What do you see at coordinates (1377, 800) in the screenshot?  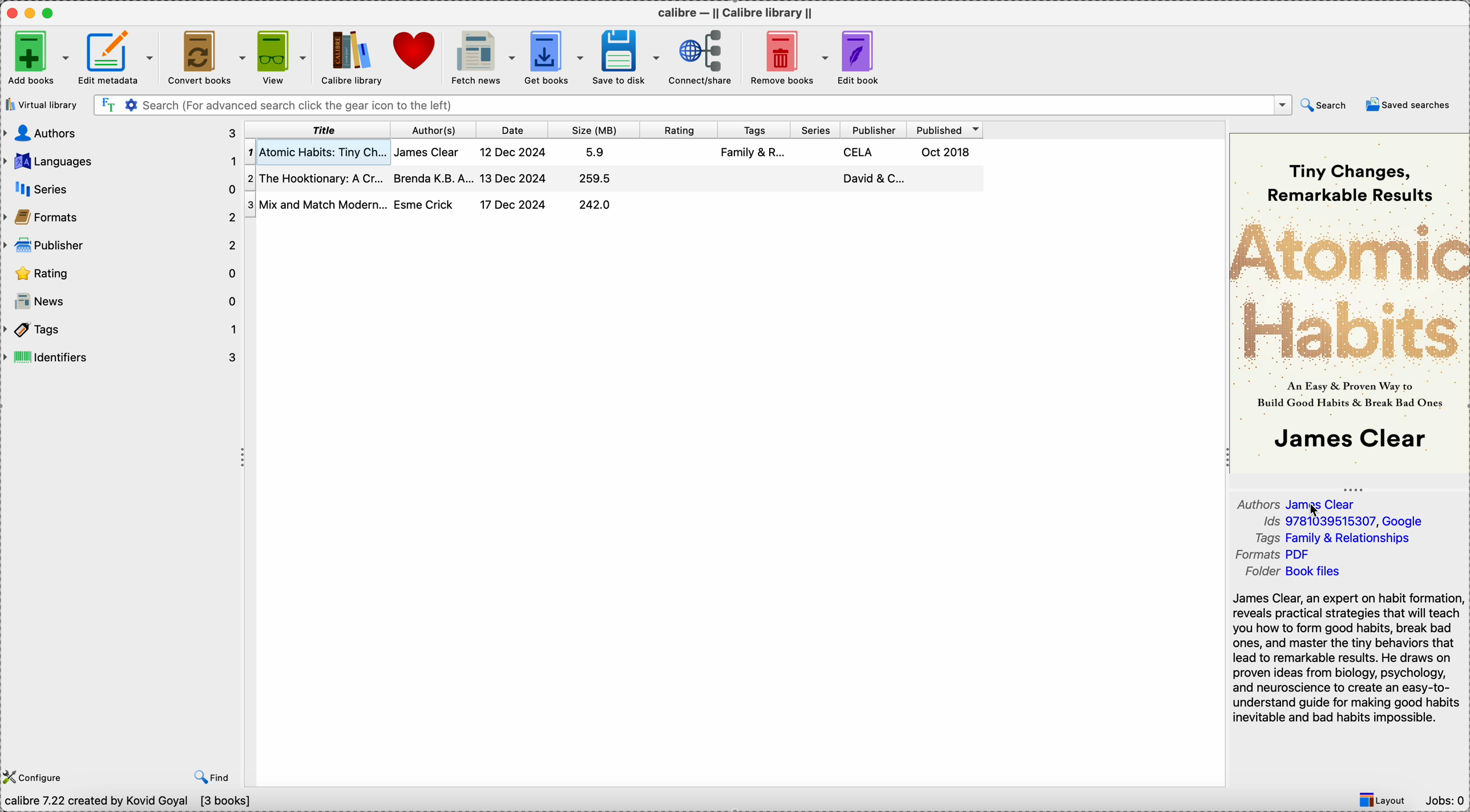 I see `layout` at bounding box center [1377, 800].